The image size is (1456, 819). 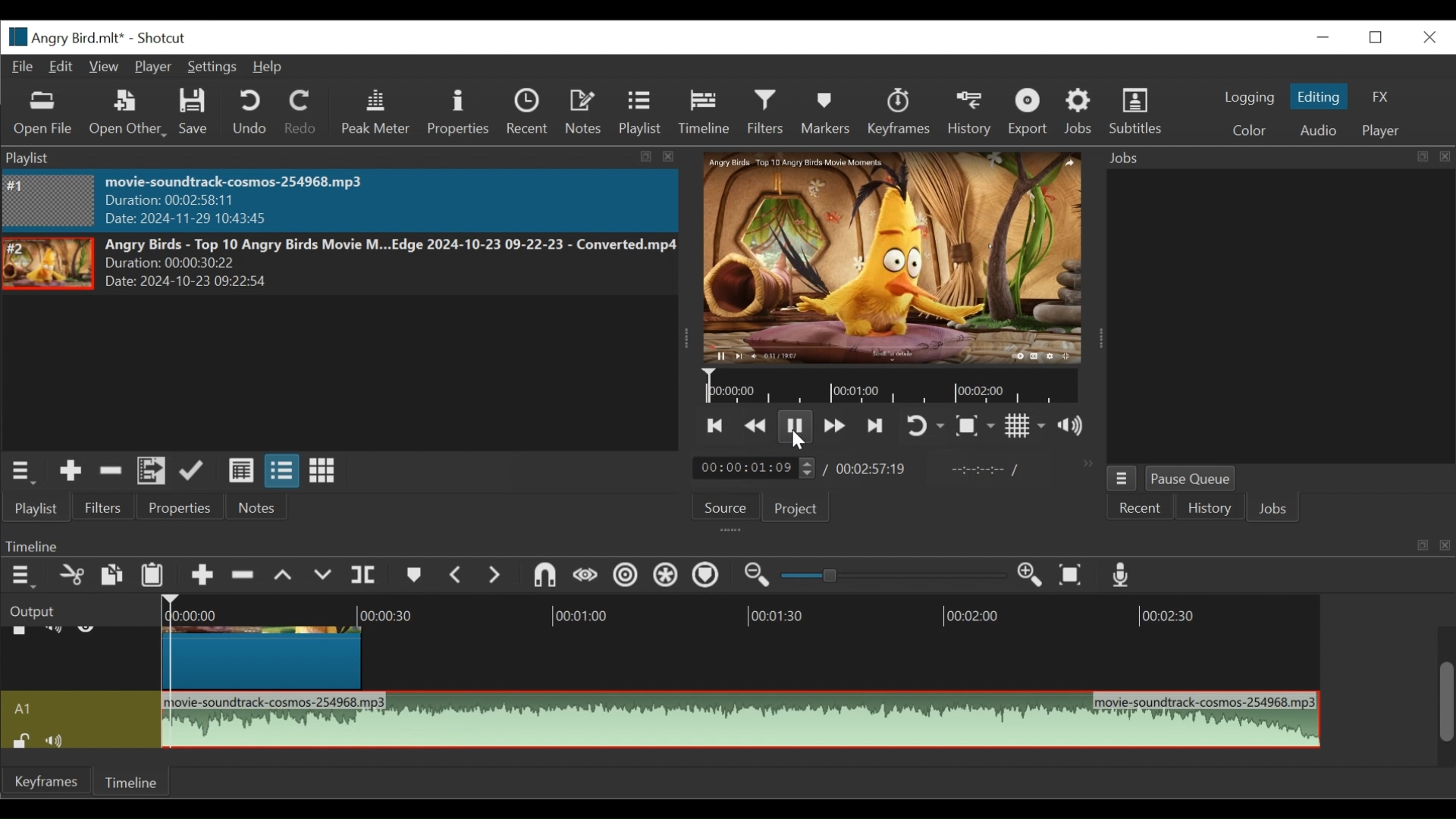 I want to click on Skip to the next point, so click(x=717, y=426).